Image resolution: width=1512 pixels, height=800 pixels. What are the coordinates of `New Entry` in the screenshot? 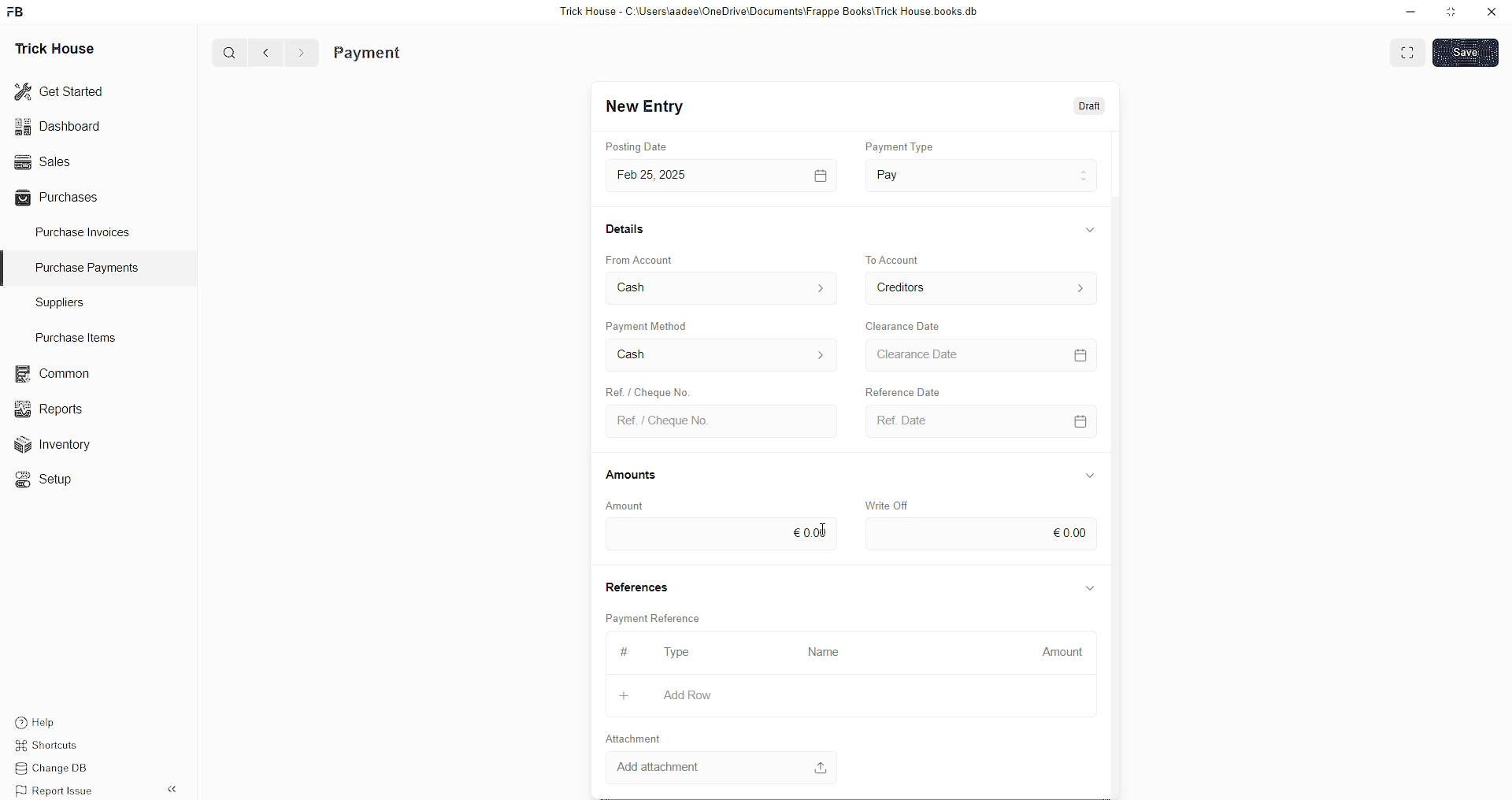 It's located at (649, 107).